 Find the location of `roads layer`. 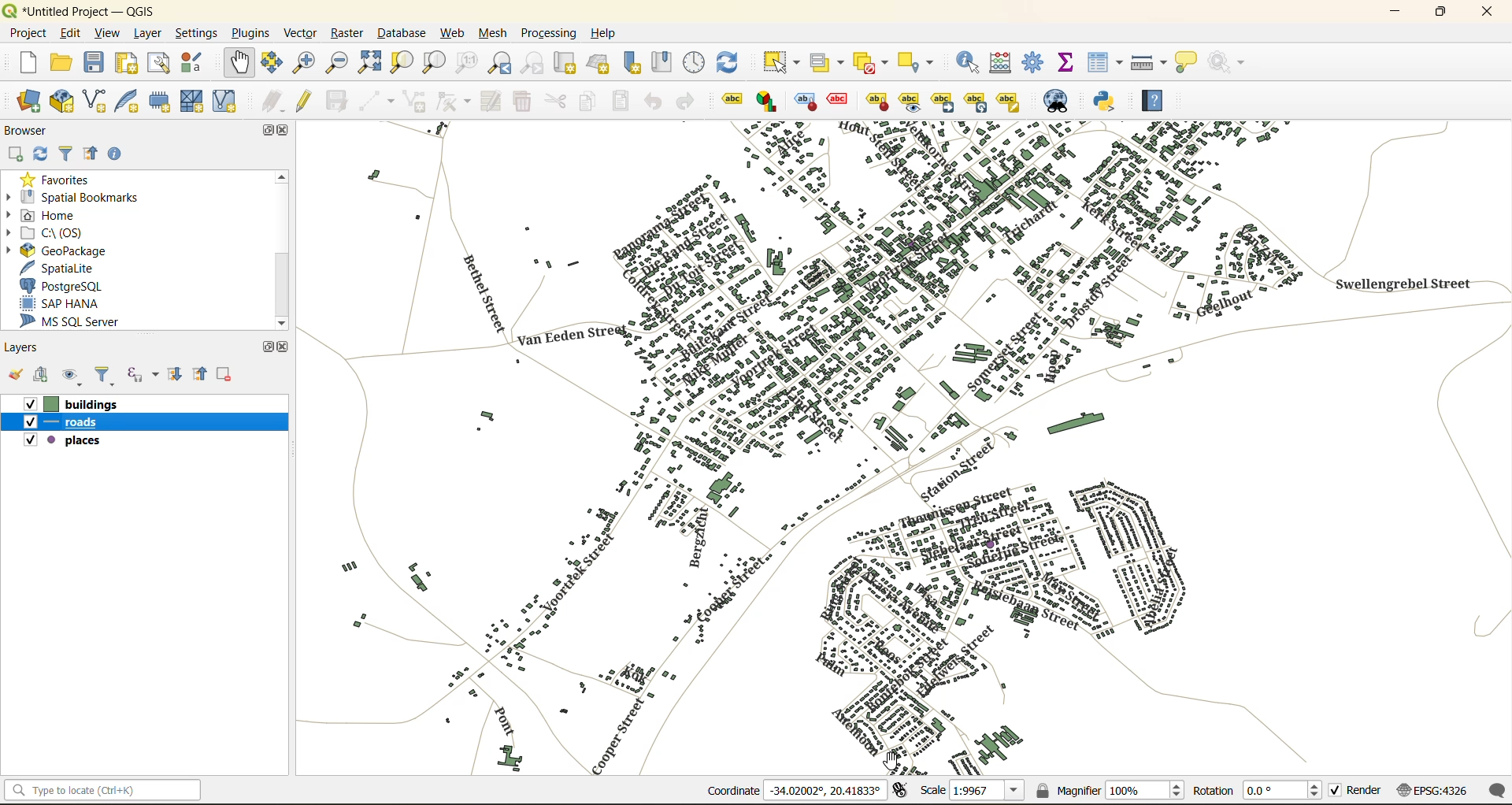

roads layer is located at coordinates (68, 423).